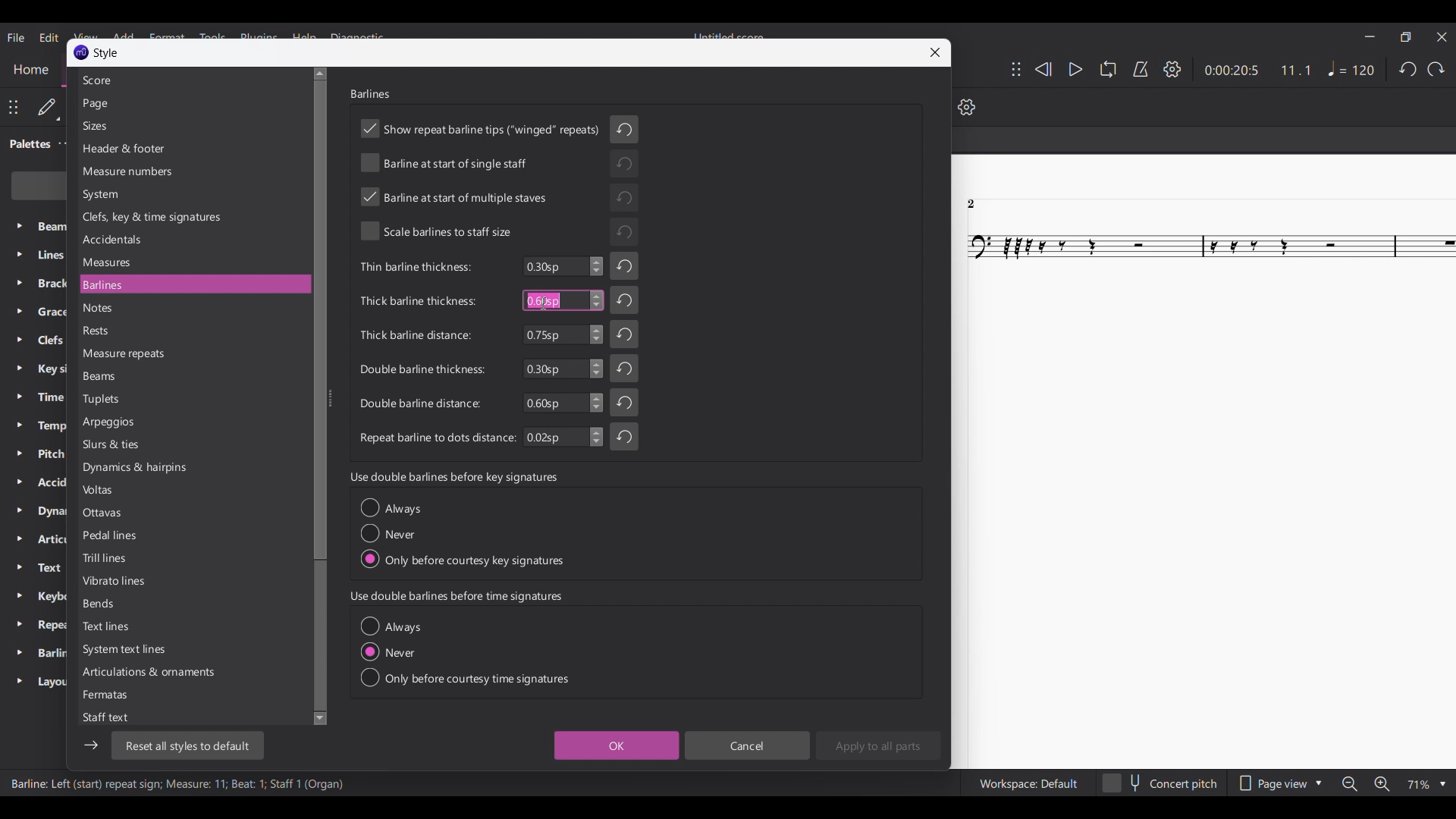  I want to click on Current score, so click(1203, 462).